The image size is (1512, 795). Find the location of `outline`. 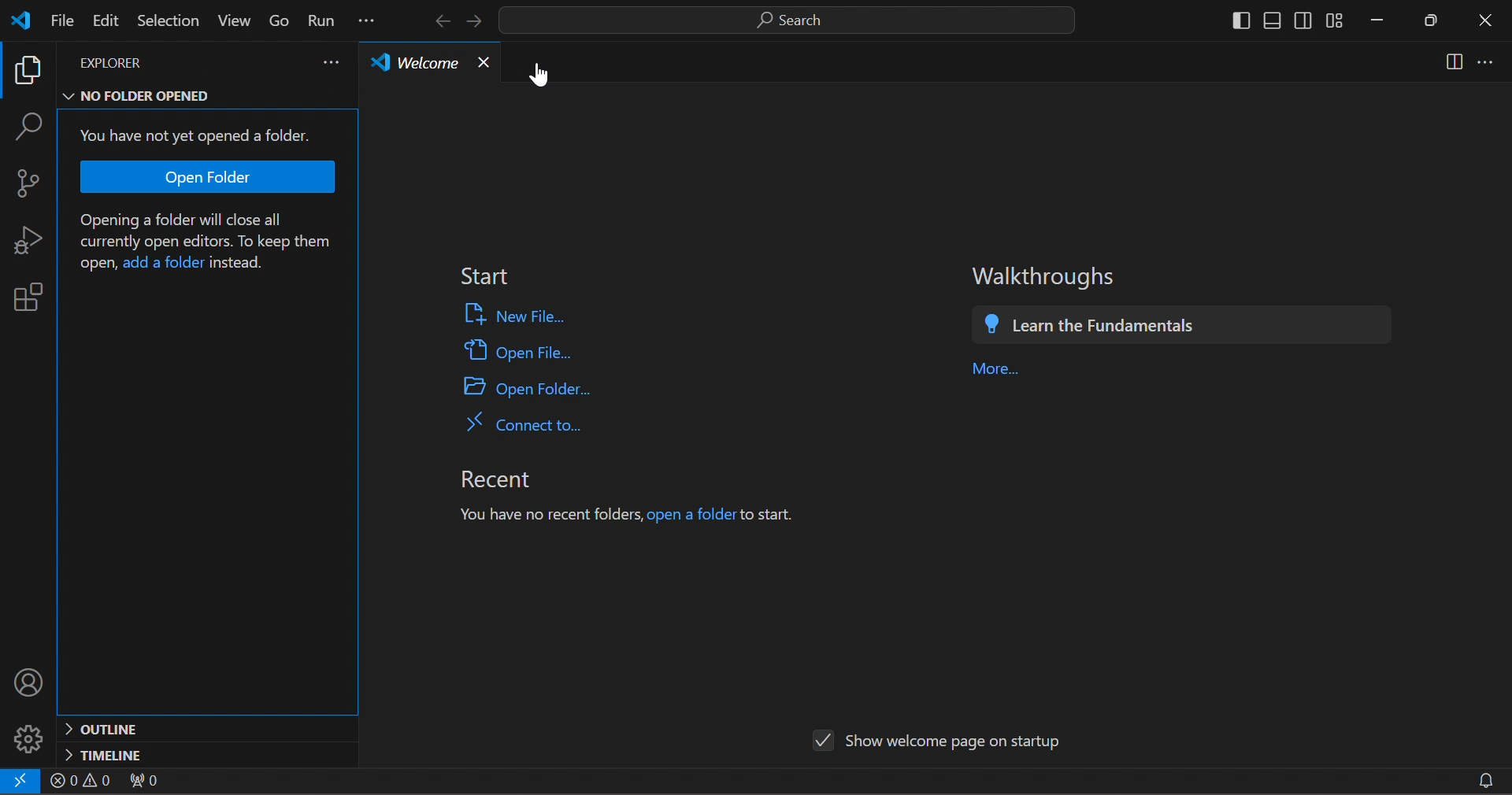

outline is located at coordinates (208, 730).